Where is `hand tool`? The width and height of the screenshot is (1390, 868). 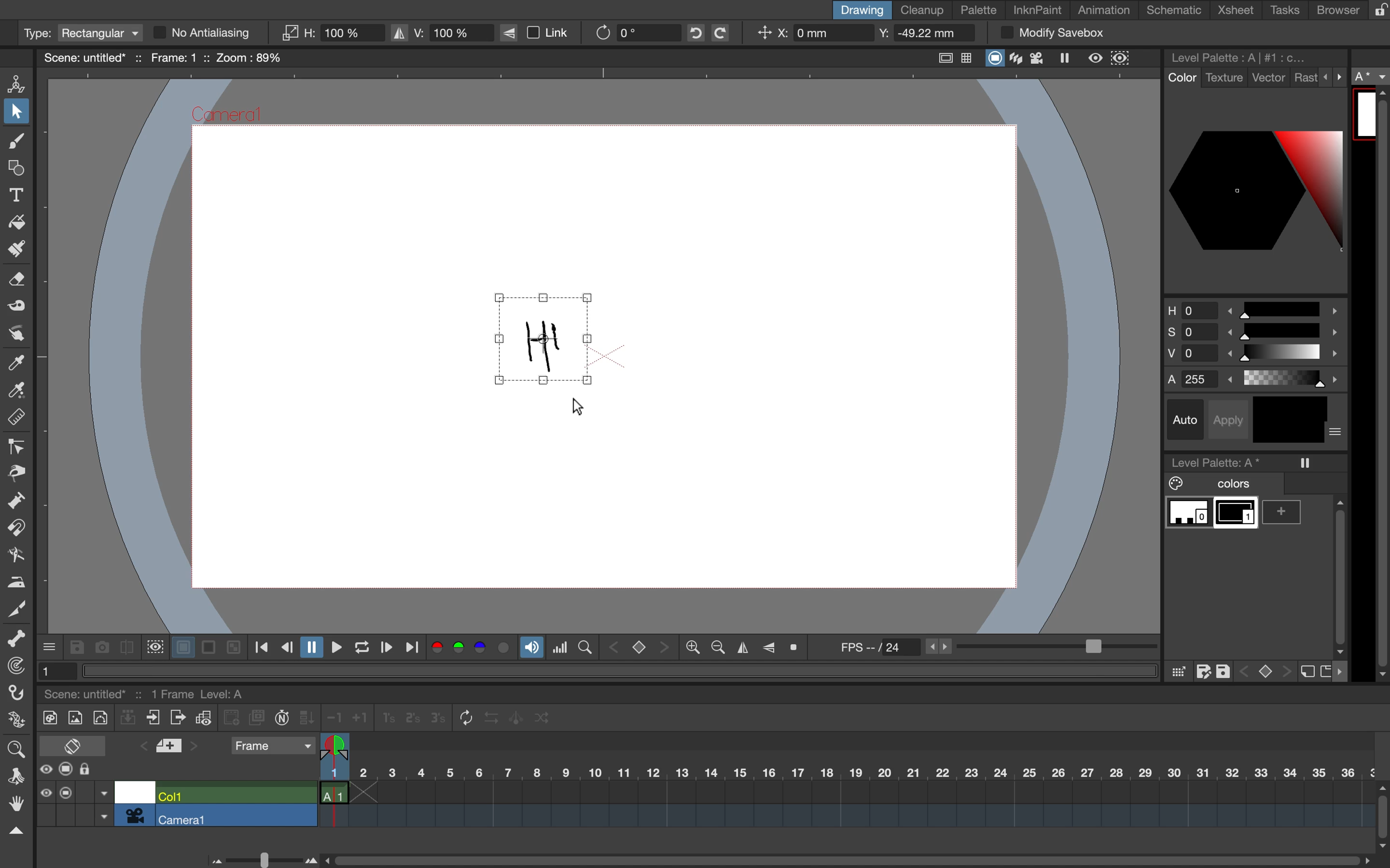 hand tool is located at coordinates (15, 805).